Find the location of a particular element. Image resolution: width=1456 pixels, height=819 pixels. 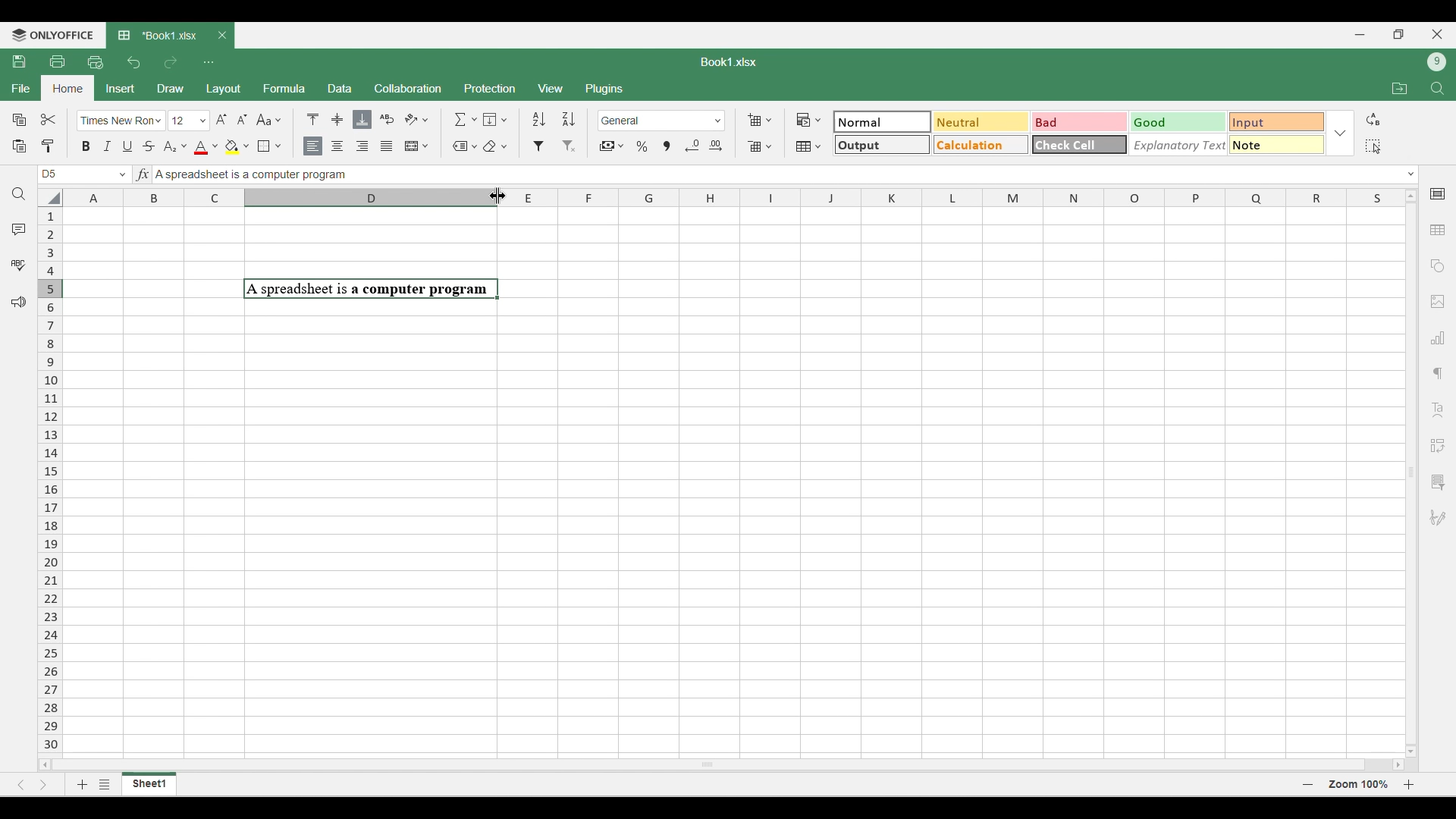

Text color is located at coordinates (206, 148).